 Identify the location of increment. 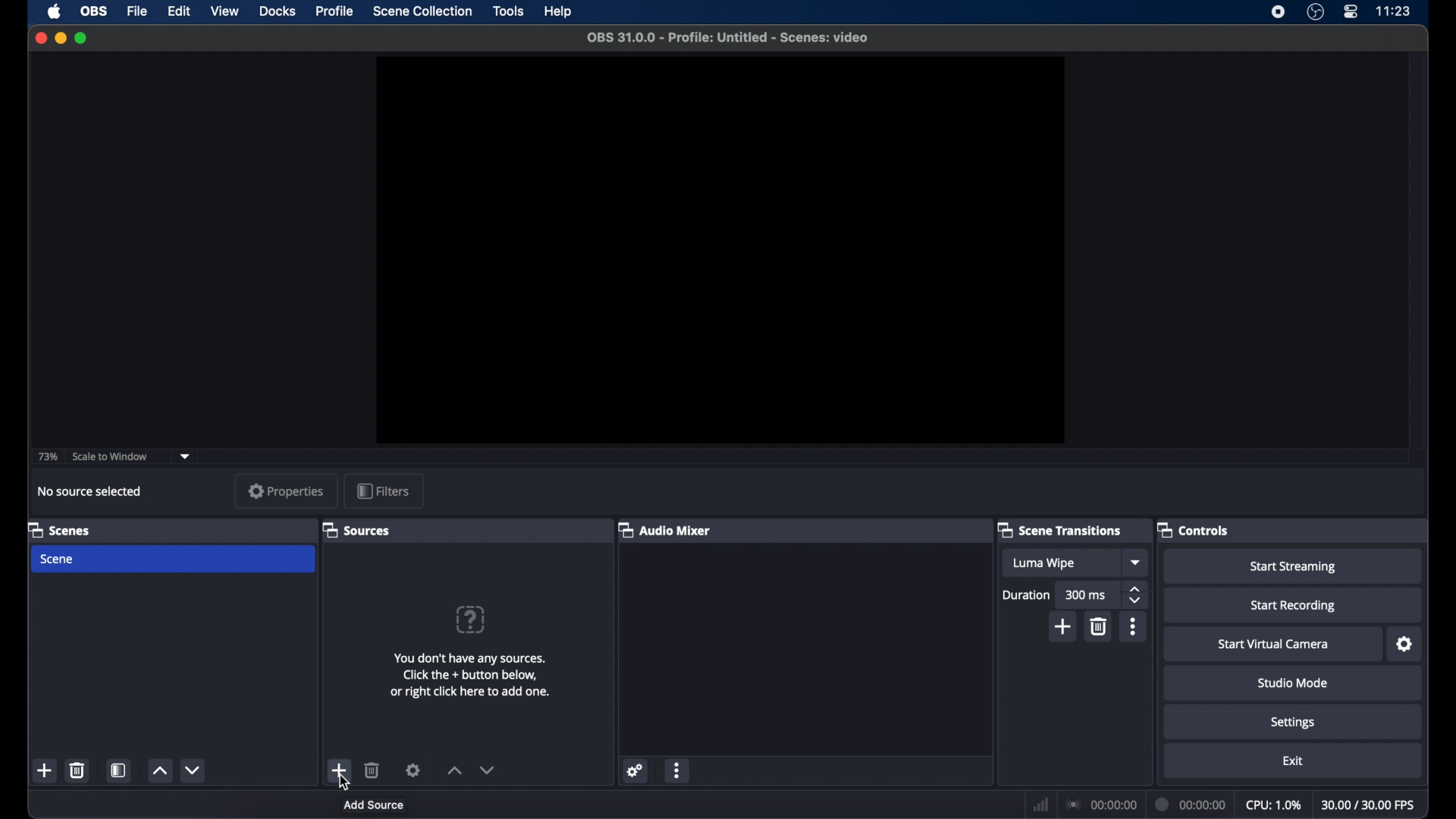
(159, 771).